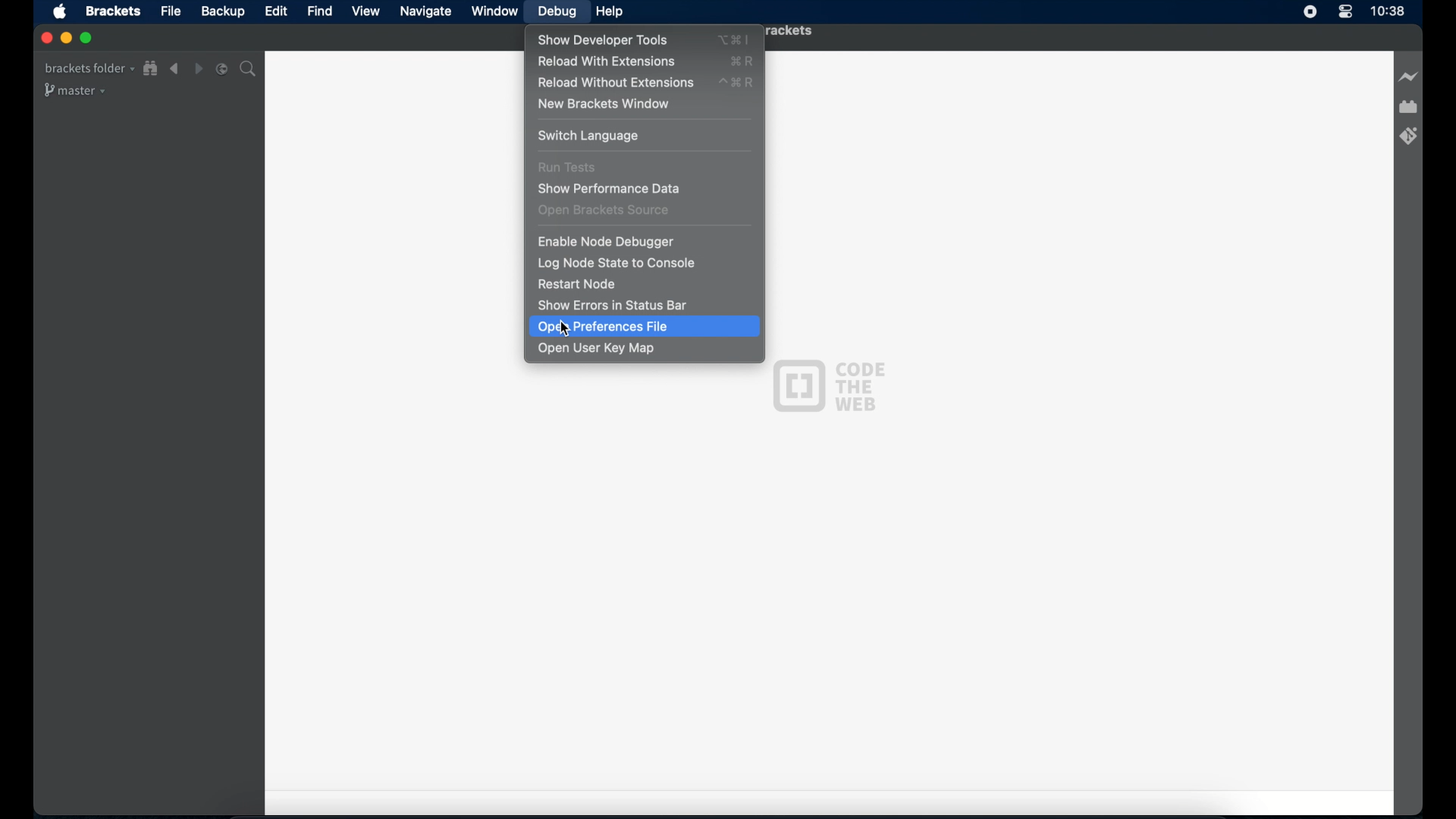 The image size is (1456, 819). I want to click on control center, so click(1345, 11).